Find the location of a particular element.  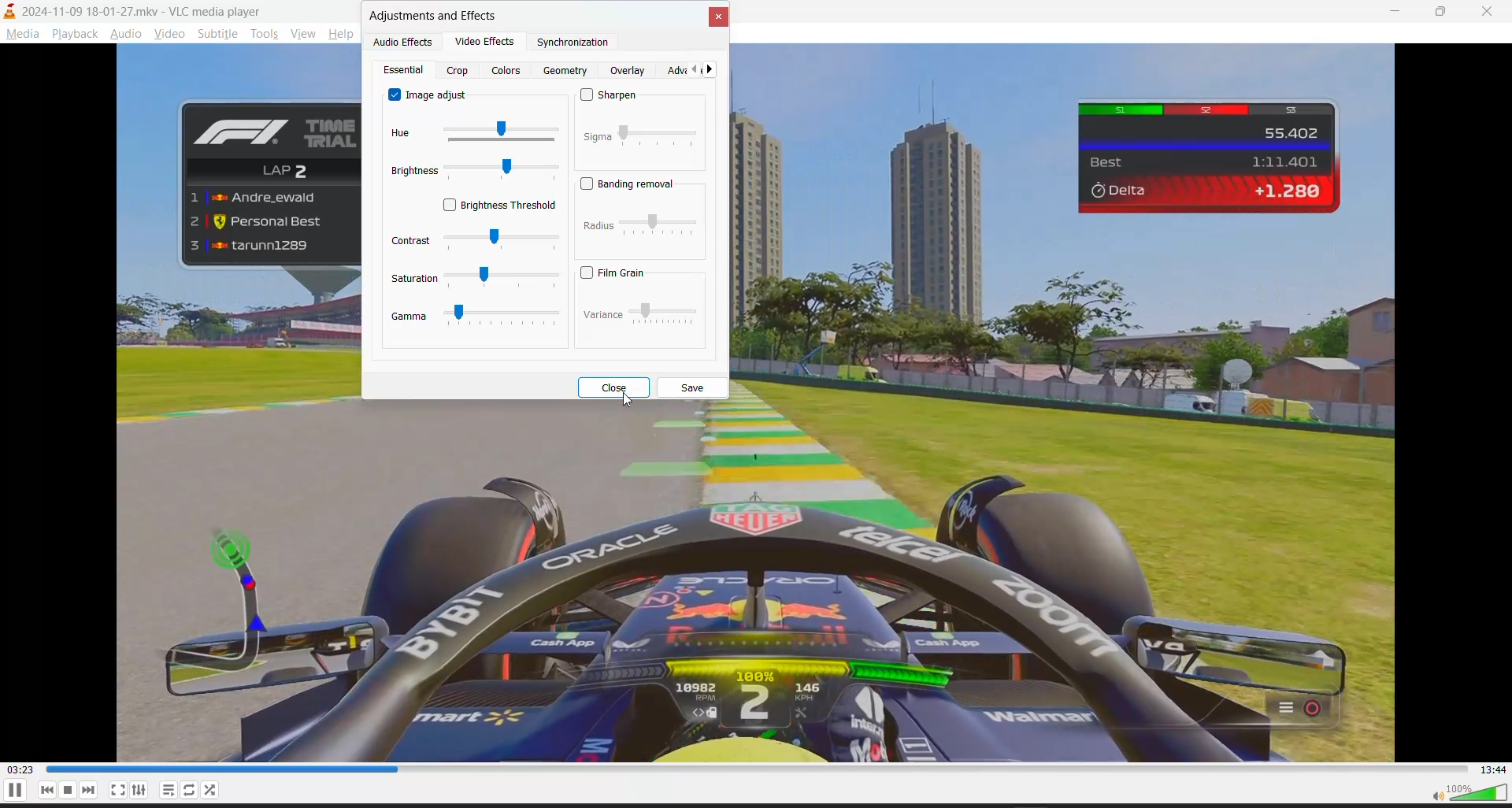

view is located at coordinates (303, 32).